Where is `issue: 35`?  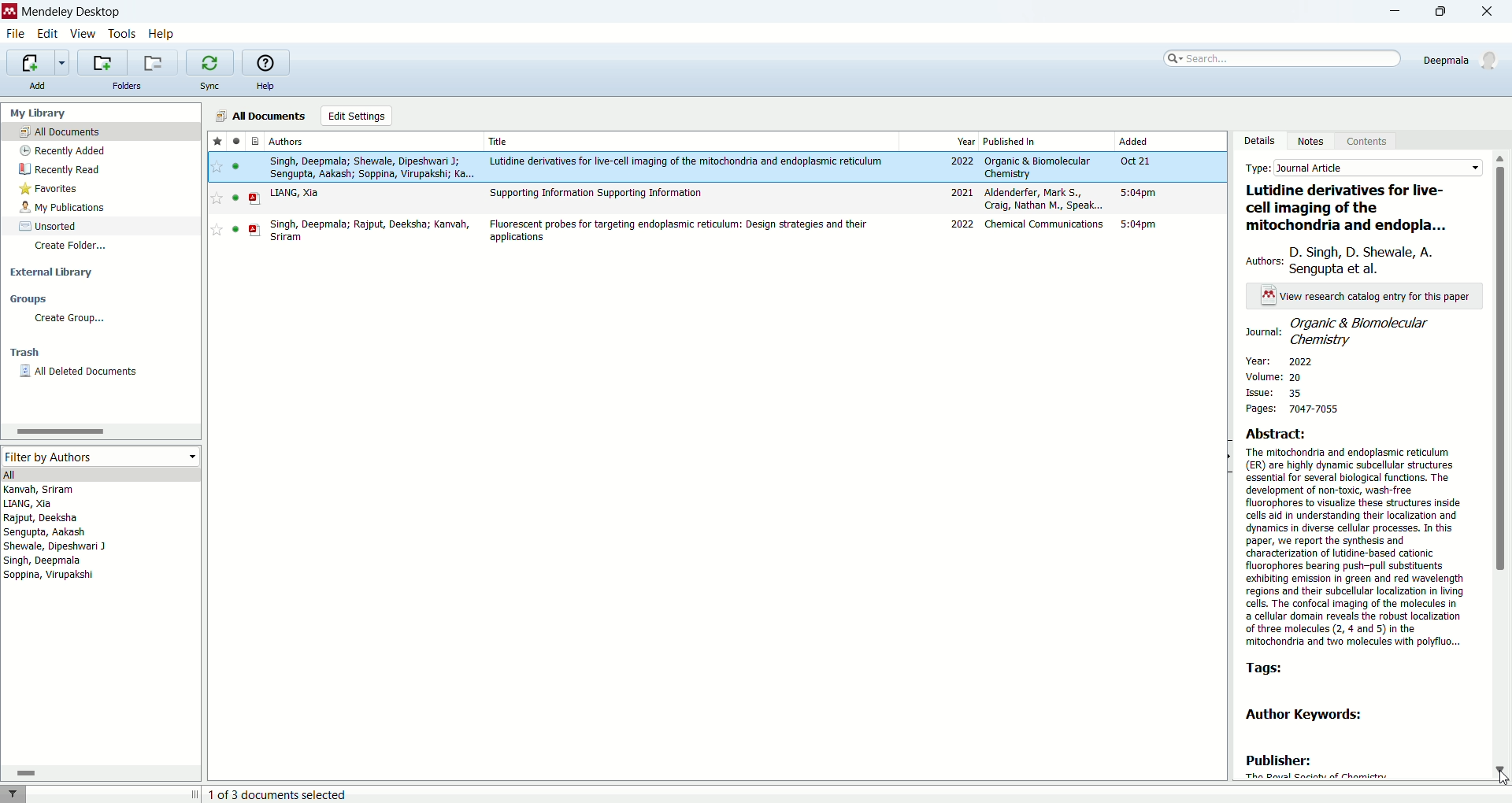 issue: 35 is located at coordinates (1283, 391).